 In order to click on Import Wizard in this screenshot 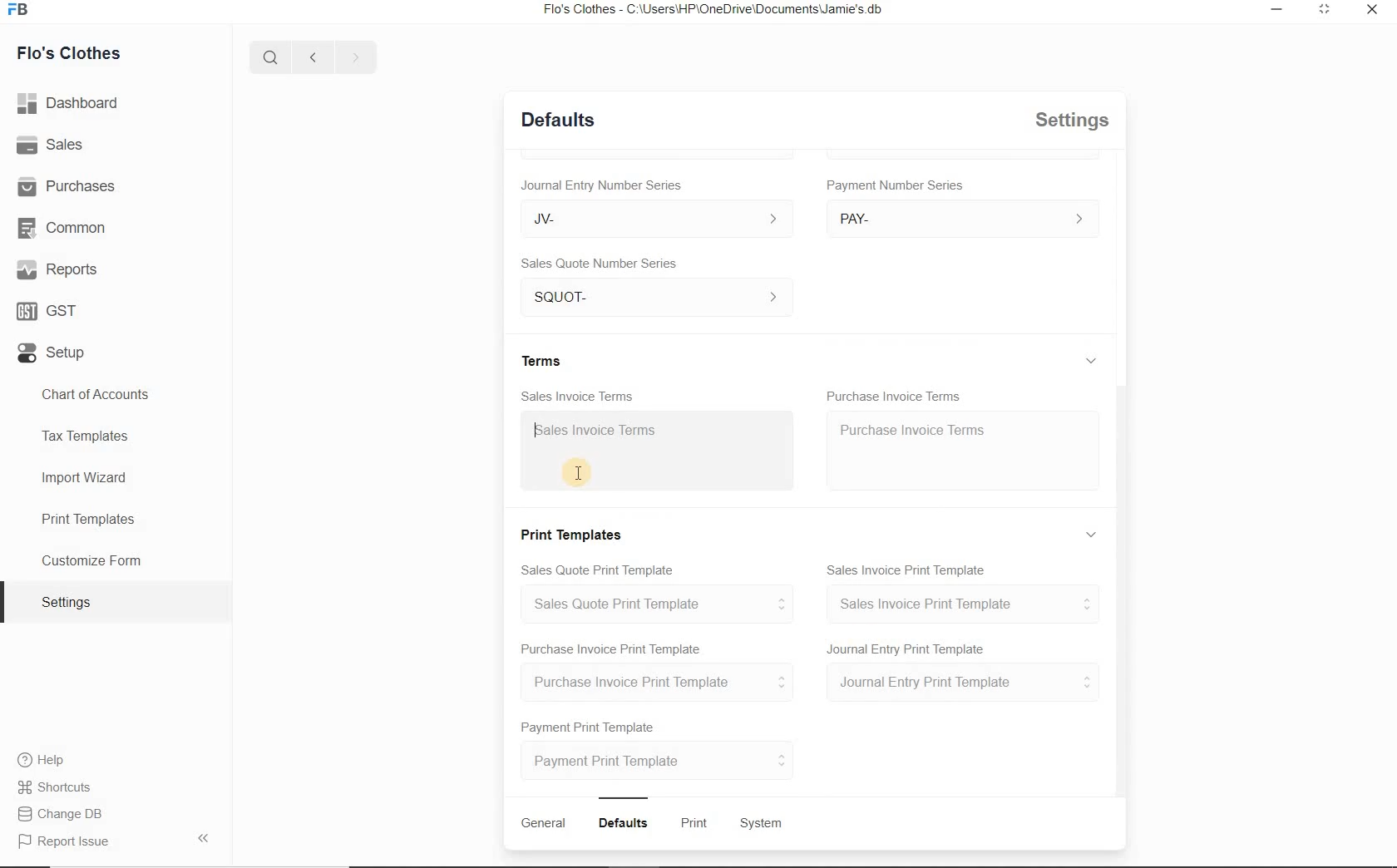, I will do `click(115, 479)`.